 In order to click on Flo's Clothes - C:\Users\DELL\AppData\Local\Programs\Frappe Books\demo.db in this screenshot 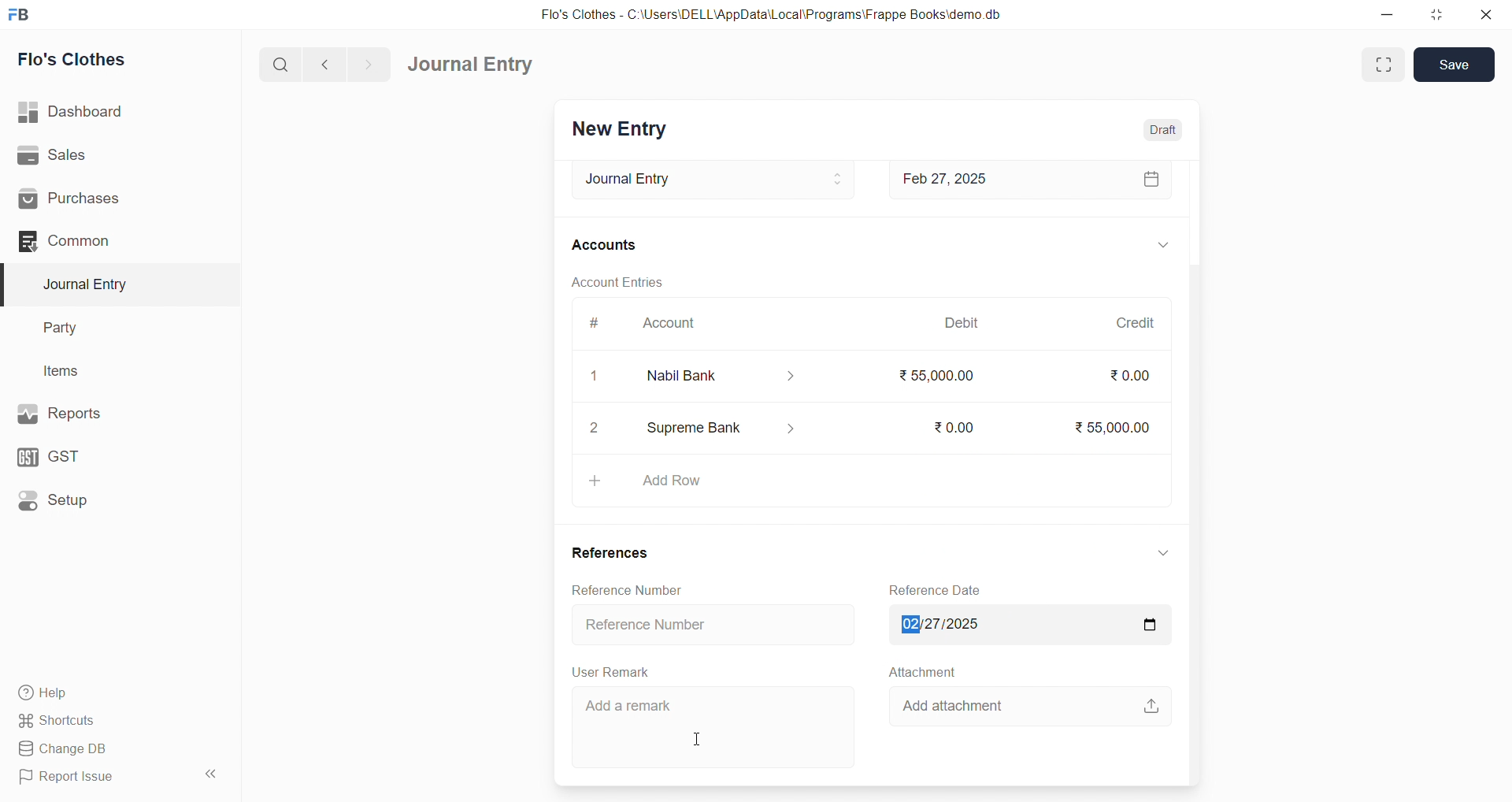, I will do `click(771, 13)`.